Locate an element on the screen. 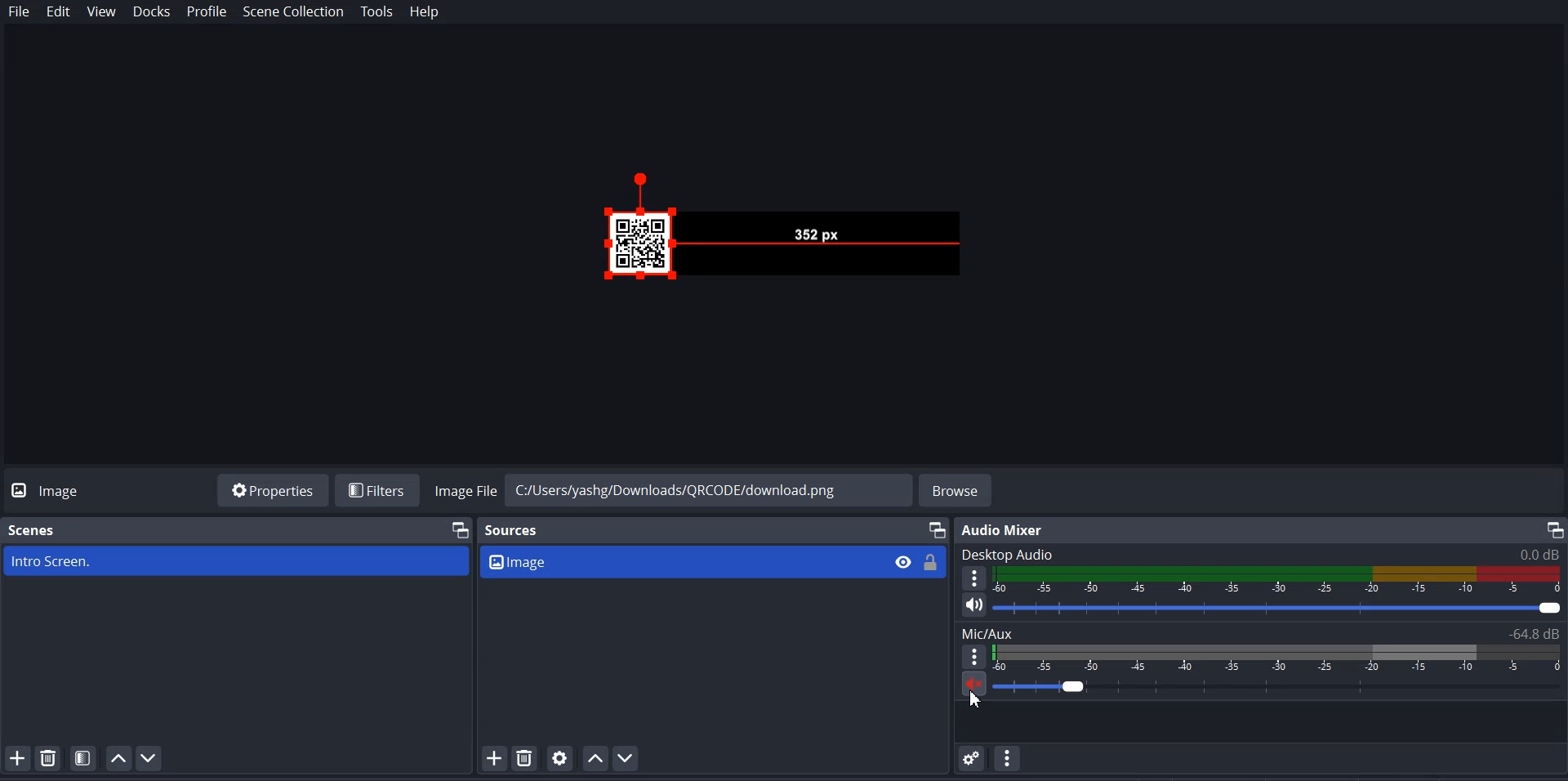 Image resolution: width=1568 pixels, height=781 pixels. Filters is located at coordinates (380, 490).